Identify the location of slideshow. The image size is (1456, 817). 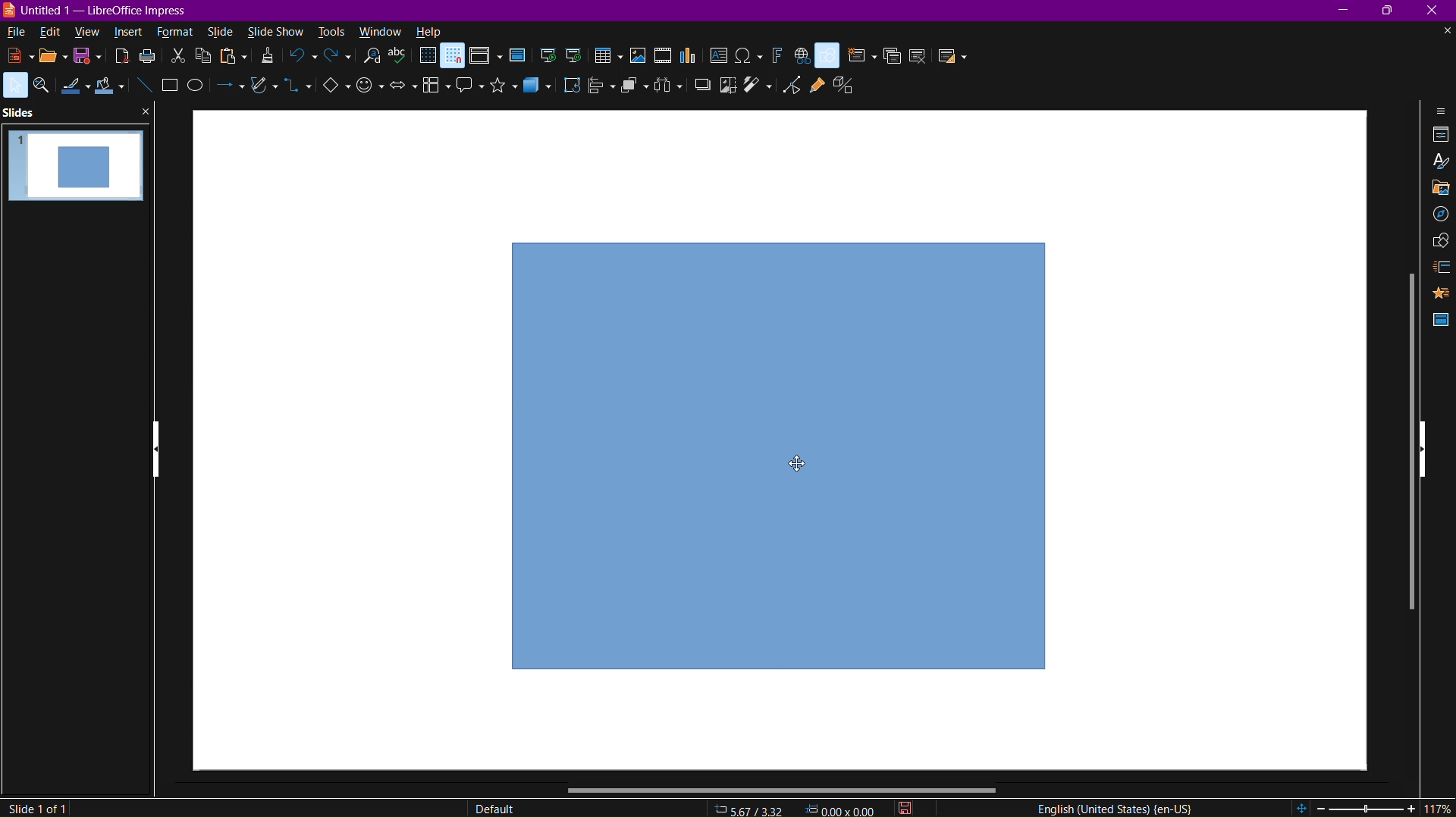
(275, 31).